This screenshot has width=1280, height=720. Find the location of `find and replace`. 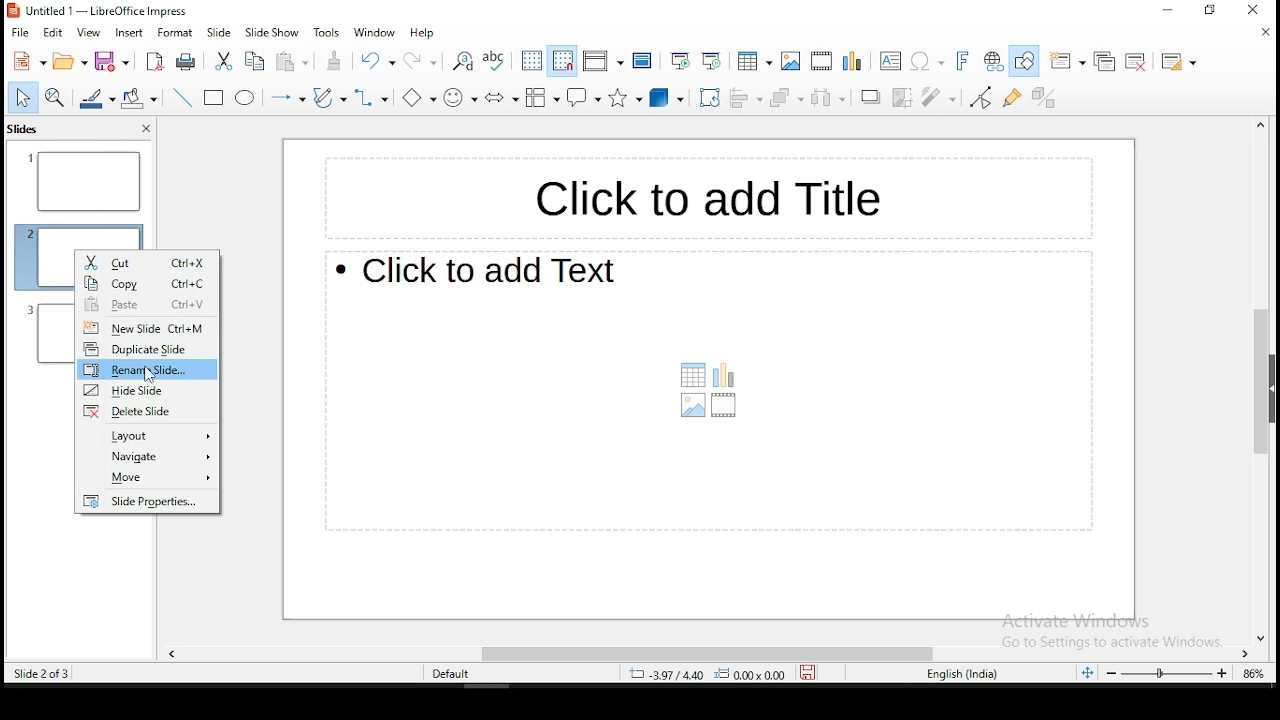

find and replace is located at coordinates (462, 63).